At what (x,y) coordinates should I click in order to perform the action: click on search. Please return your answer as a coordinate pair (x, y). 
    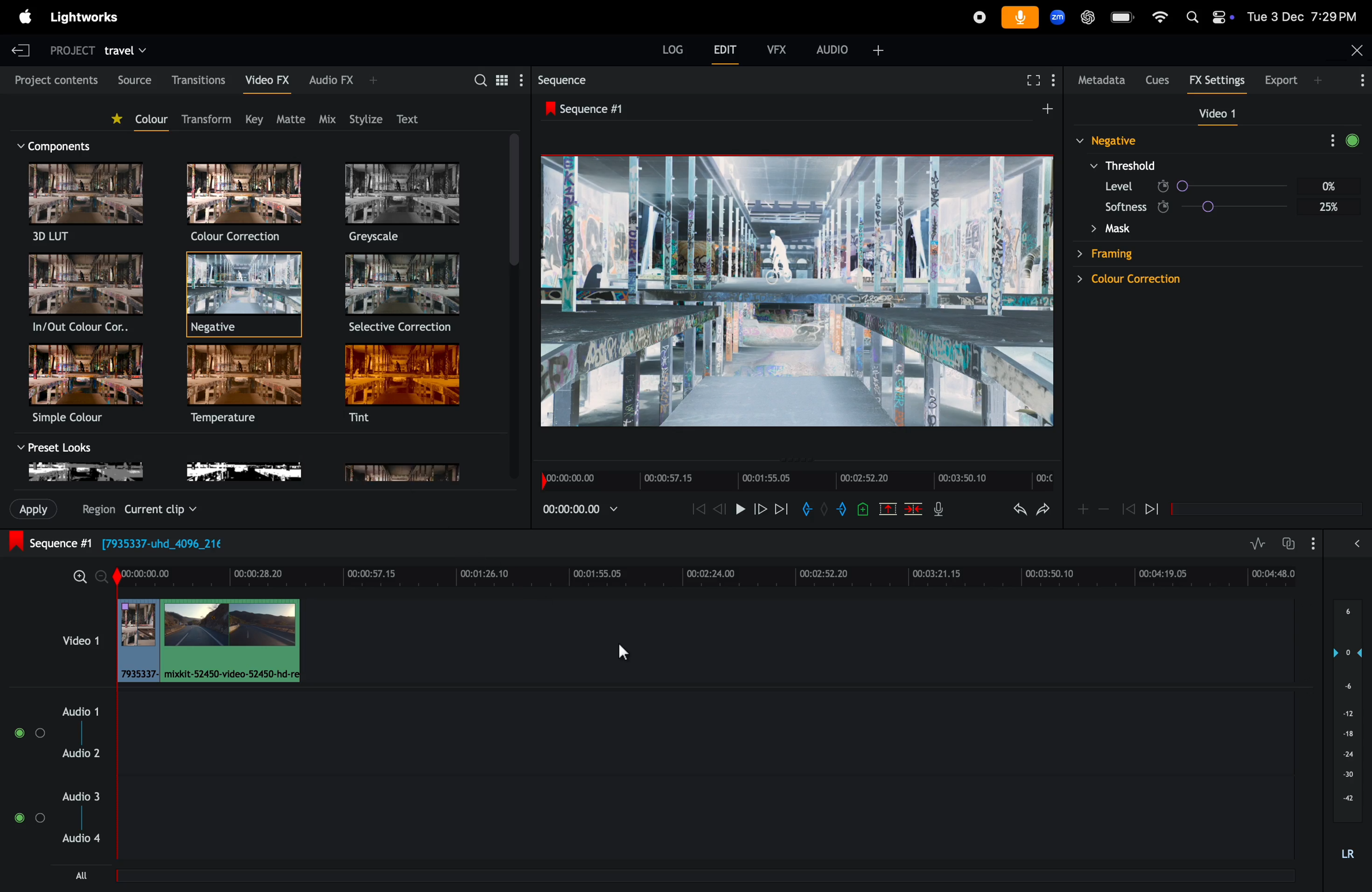
    Looking at the image, I should click on (478, 81).